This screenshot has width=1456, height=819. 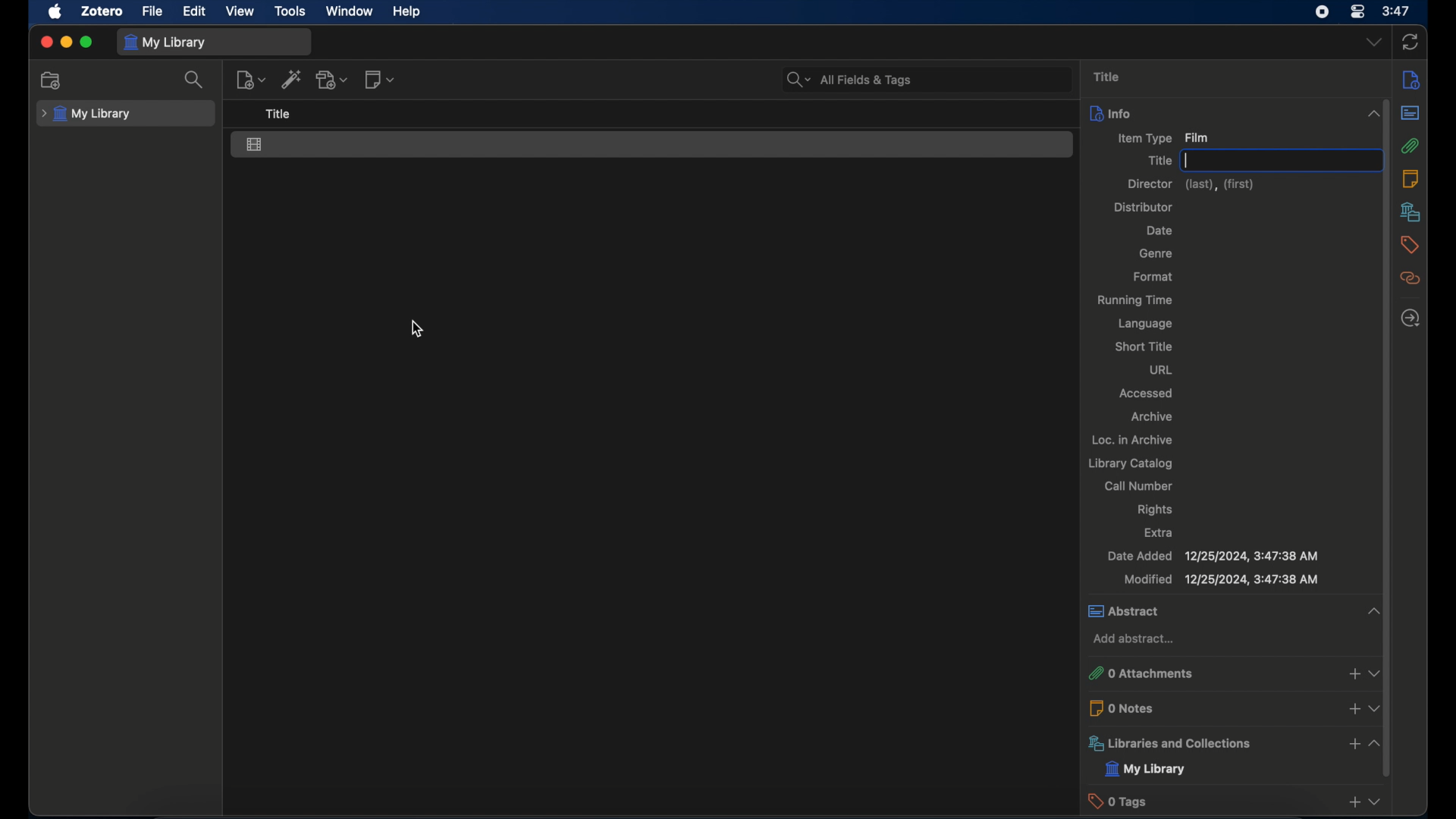 I want to click on accessed, so click(x=1146, y=394).